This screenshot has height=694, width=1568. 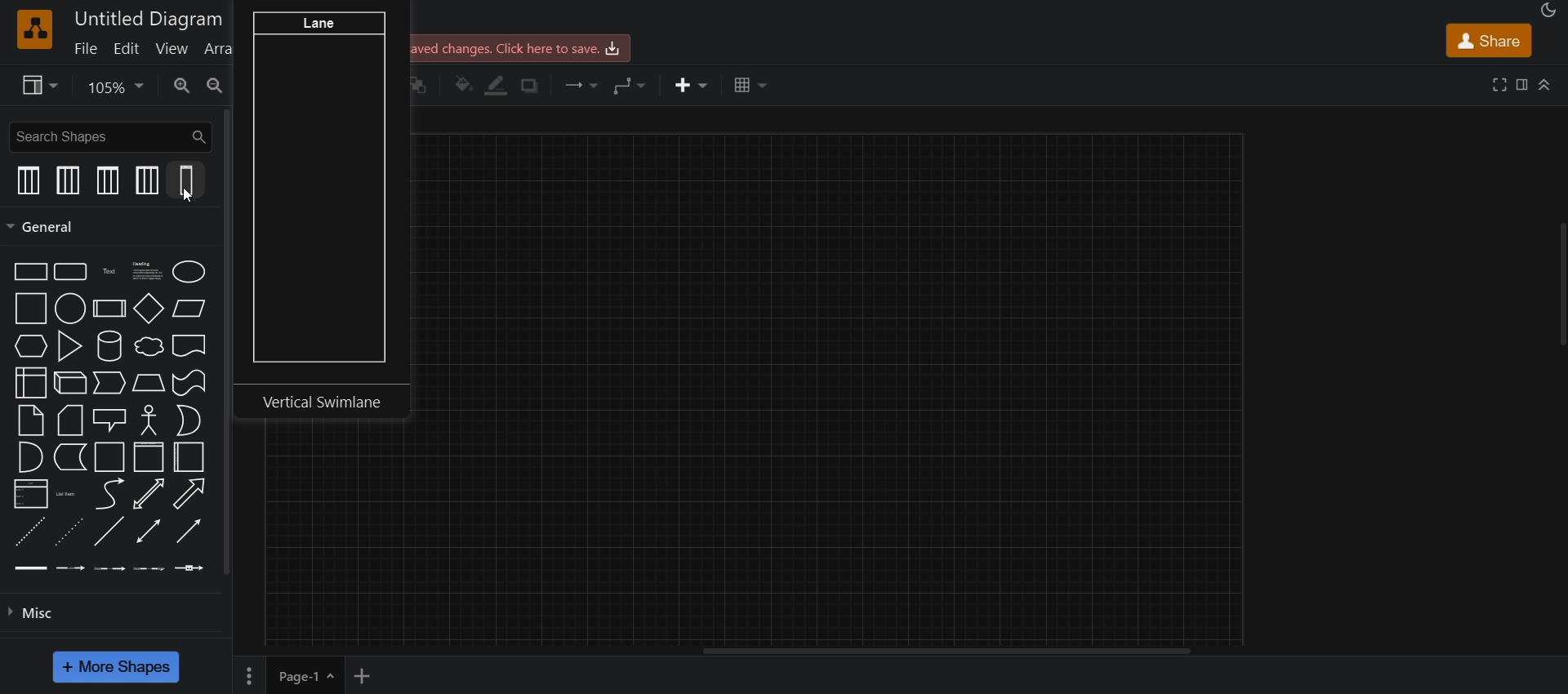 What do you see at coordinates (111, 568) in the screenshot?
I see `connector with 2 labels` at bounding box center [111, 568].